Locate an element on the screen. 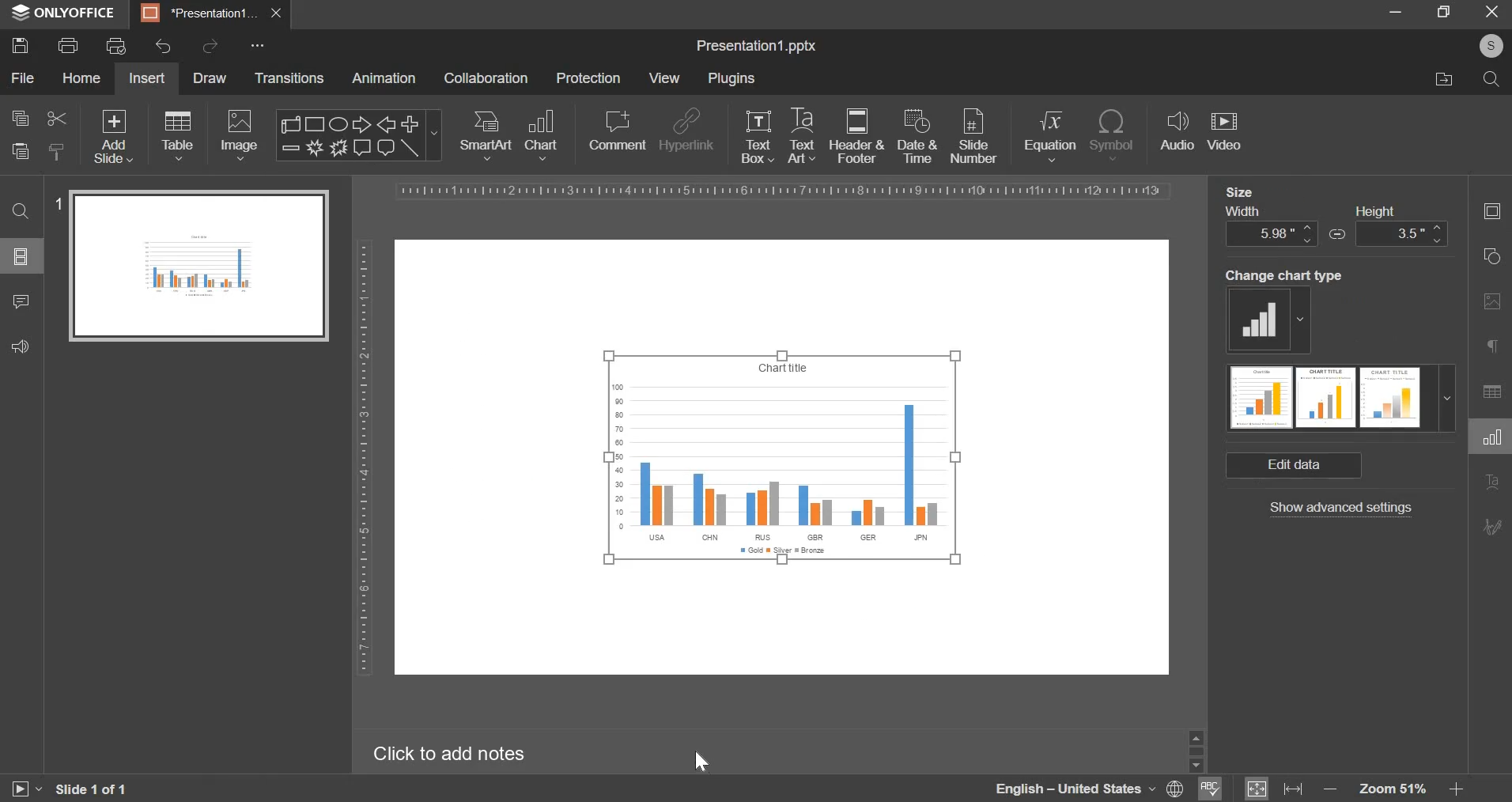 The width and height of the screenshot is (1512, 802). print is located at coordinates (67, 46).